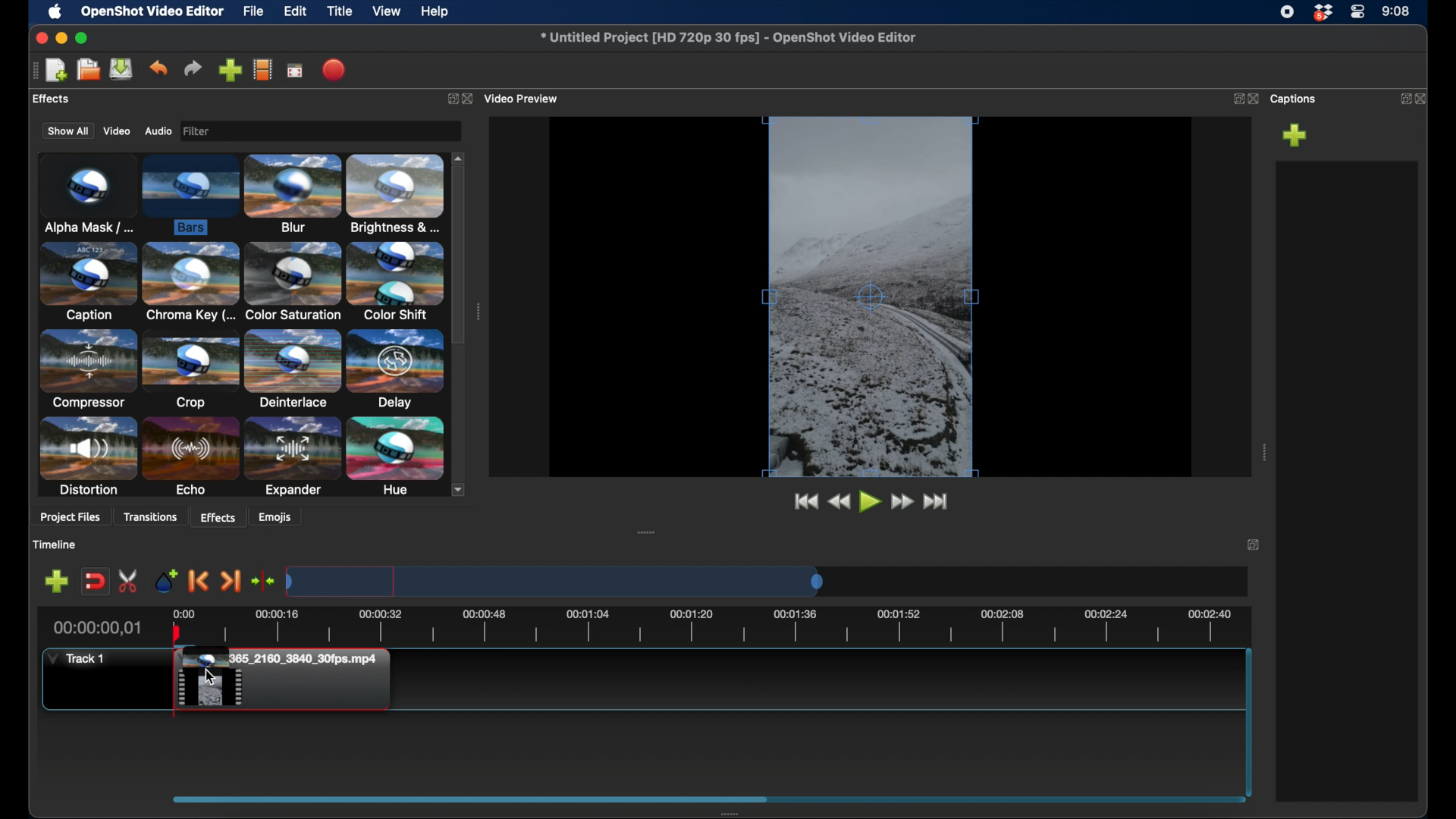 This screenshot has height=819, width=1456. I want to click on close, so click(471, 98).